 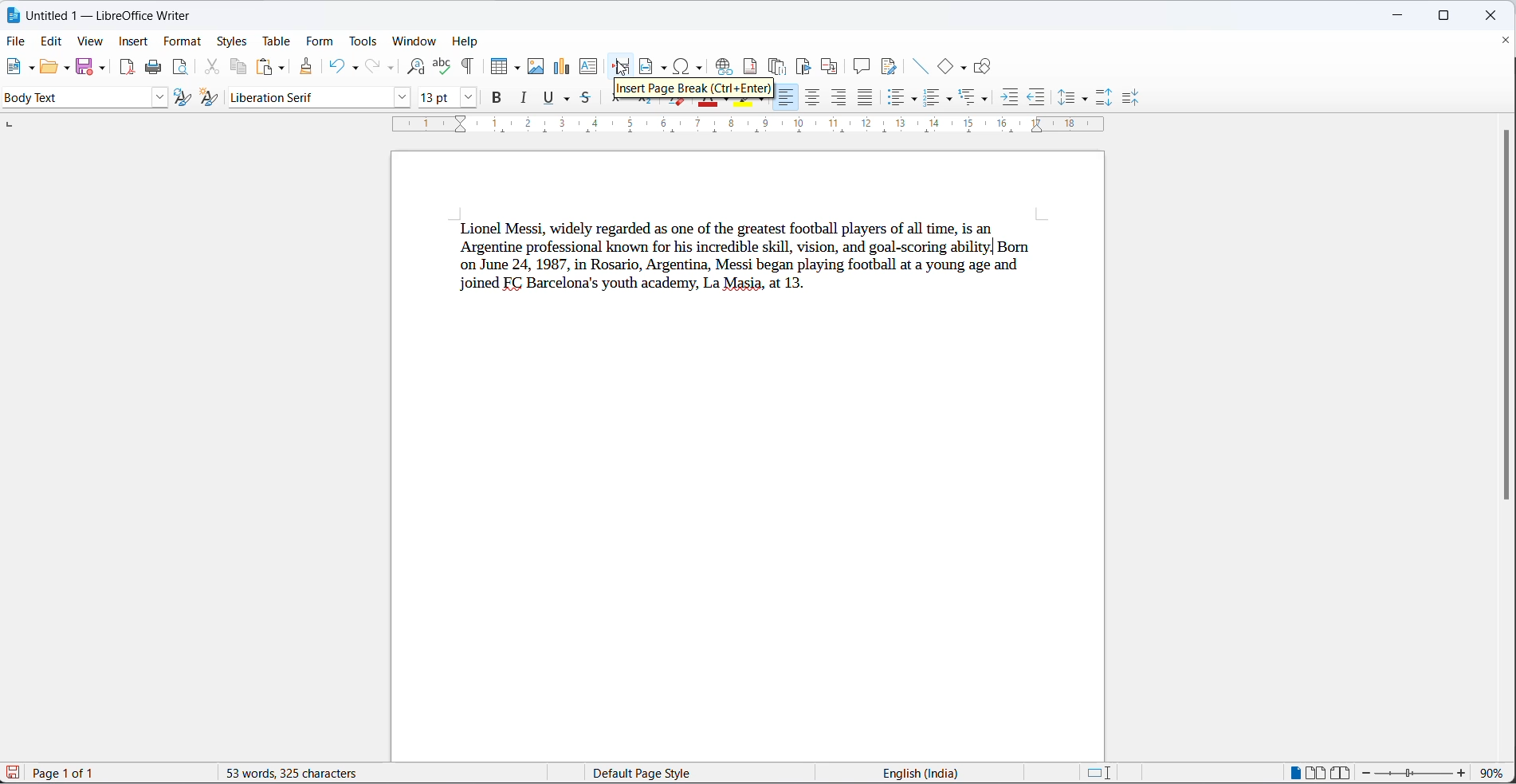 I want to click on text language, so click(x=912, y=774).